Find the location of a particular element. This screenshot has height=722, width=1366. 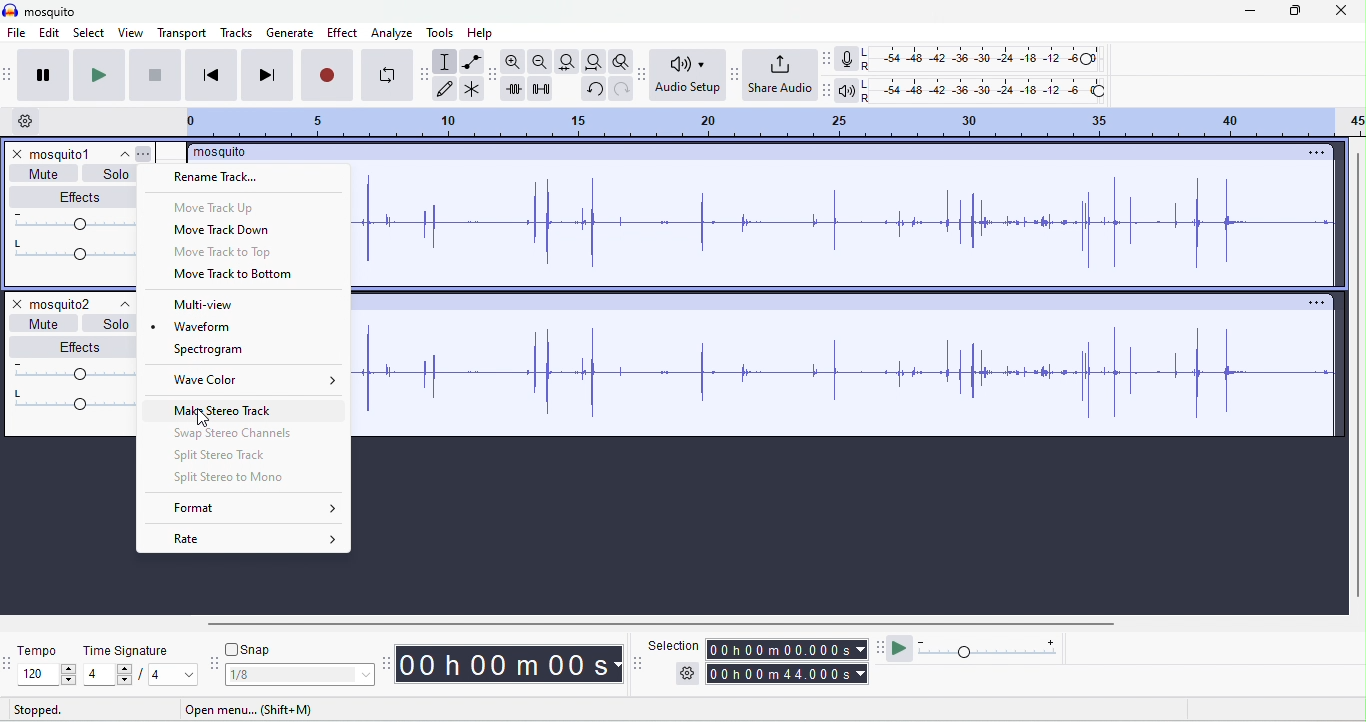

time tool is located at coordinates (389, 665).